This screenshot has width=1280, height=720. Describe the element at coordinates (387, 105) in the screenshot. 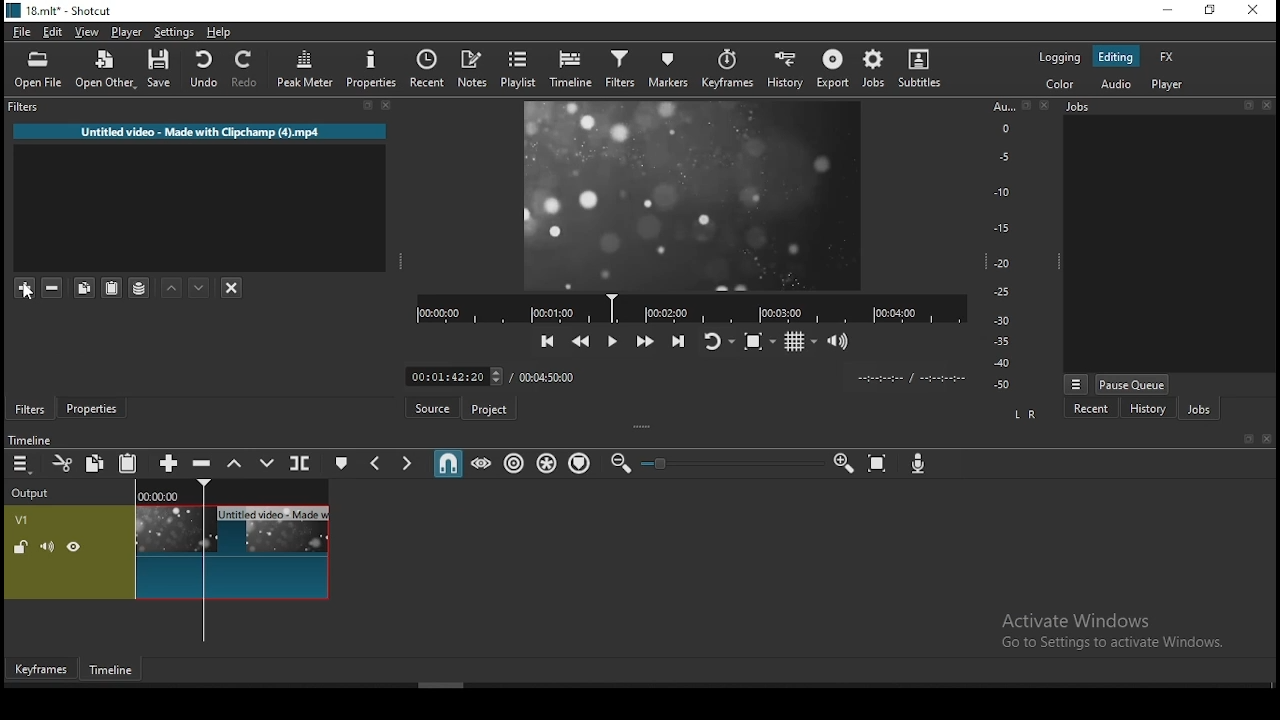

I see `Close` at that location.